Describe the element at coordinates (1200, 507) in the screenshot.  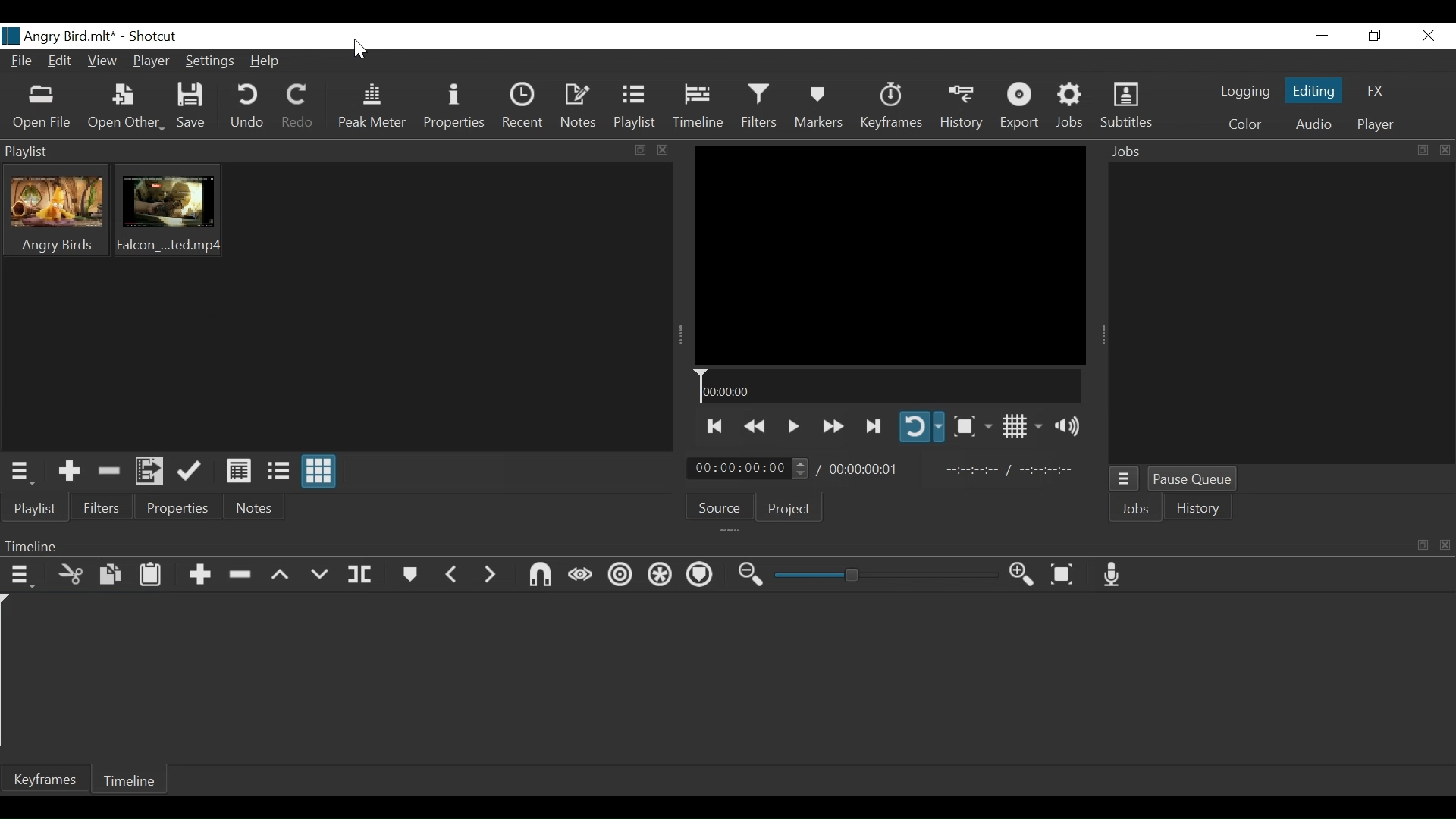
I see `istory` at that location.